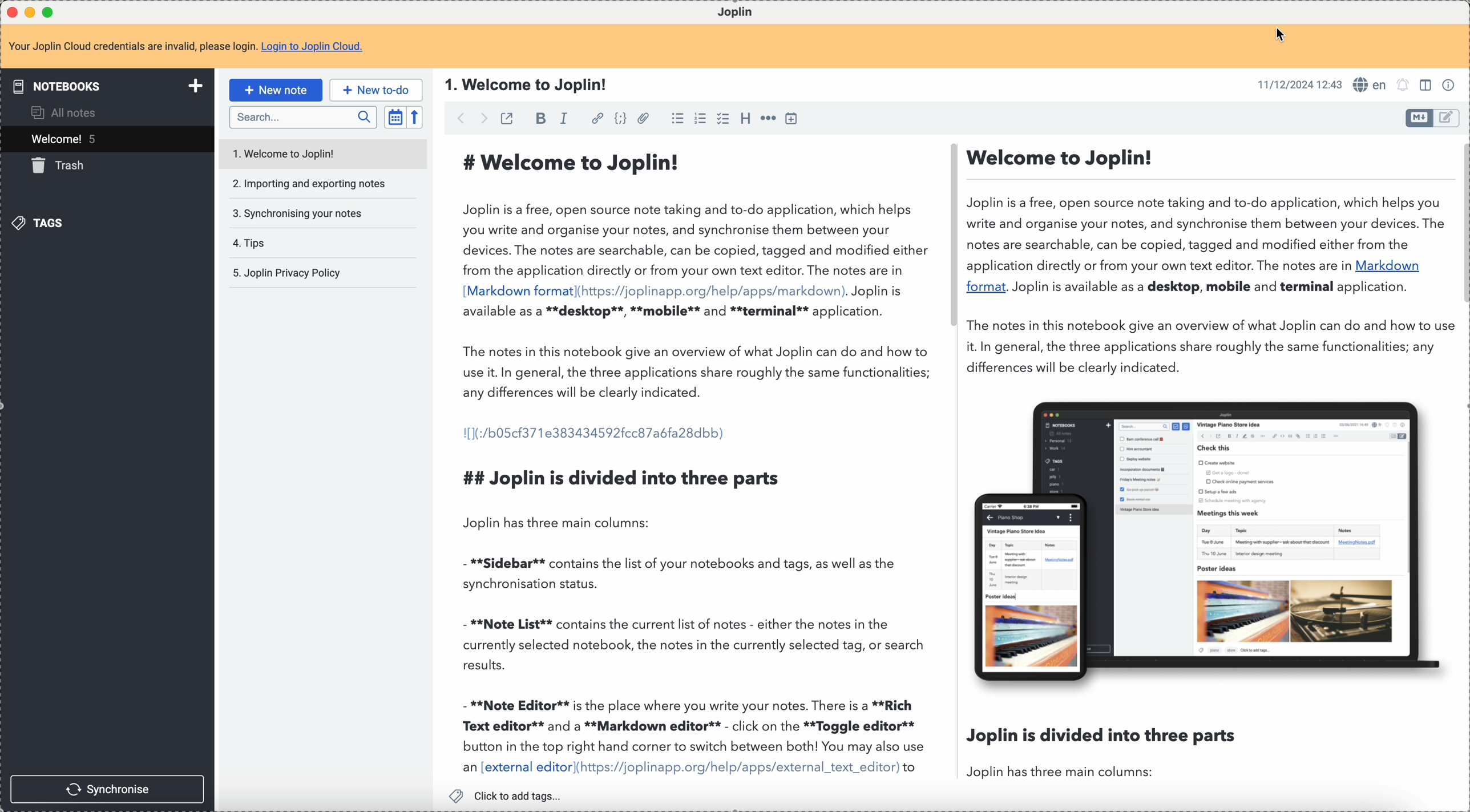 The height and width of the screenshot is (812, 1470). I want to click on Login to Joplin Cloud., so click(314, 47).